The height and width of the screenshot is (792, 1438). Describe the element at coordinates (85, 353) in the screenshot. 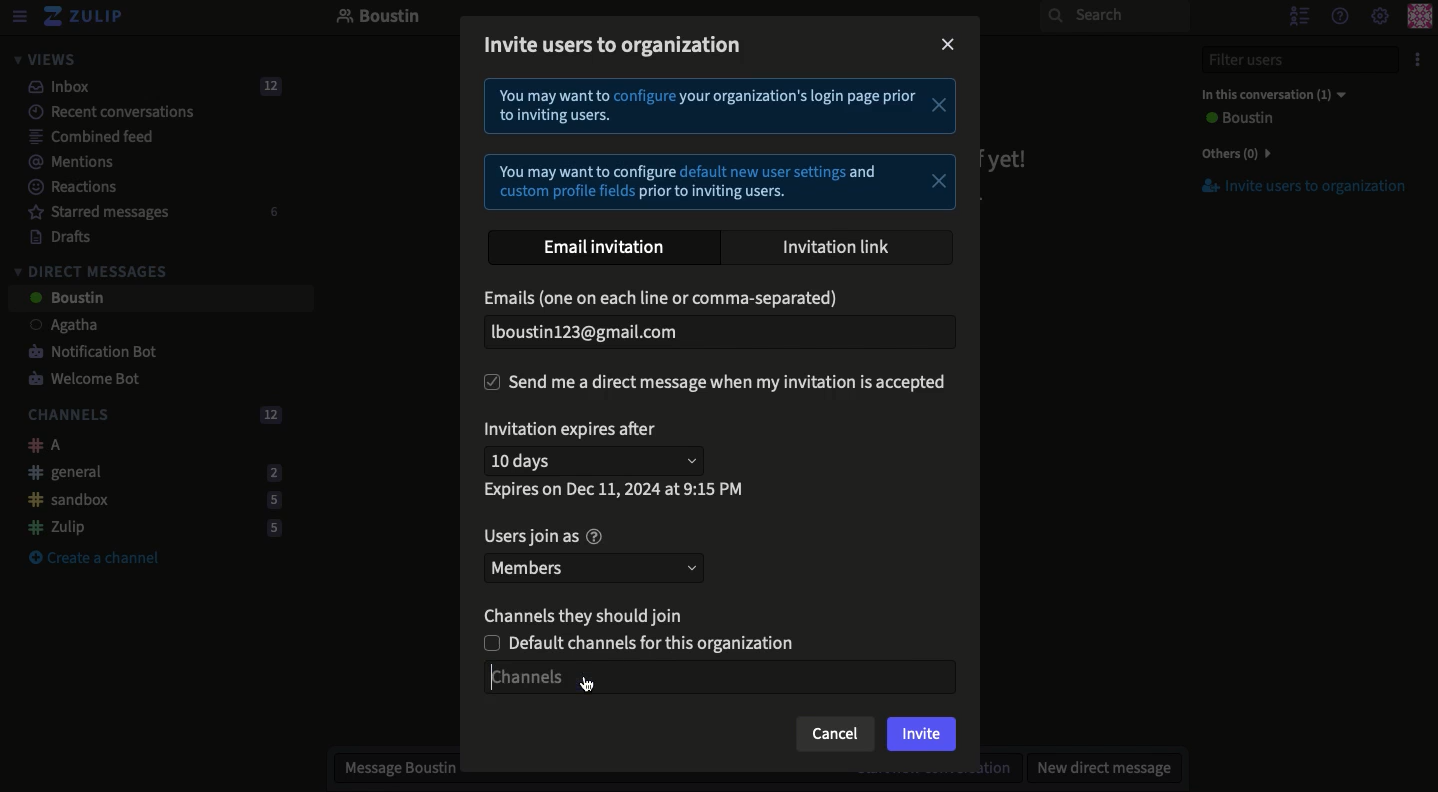

I see `Notification bot` at that location.